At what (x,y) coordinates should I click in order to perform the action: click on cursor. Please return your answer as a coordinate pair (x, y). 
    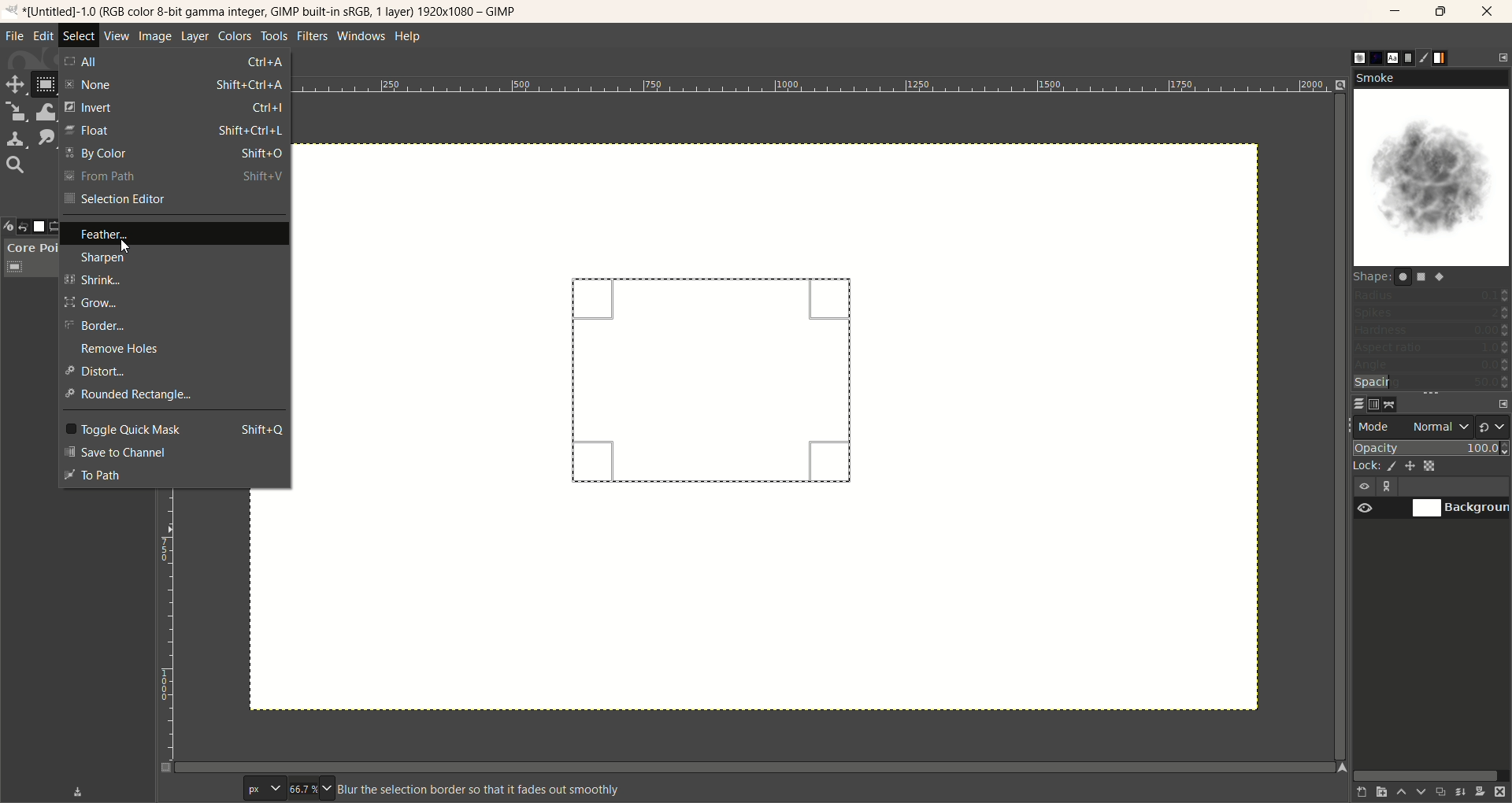
    Looking at the image, I should click on (127, 246).